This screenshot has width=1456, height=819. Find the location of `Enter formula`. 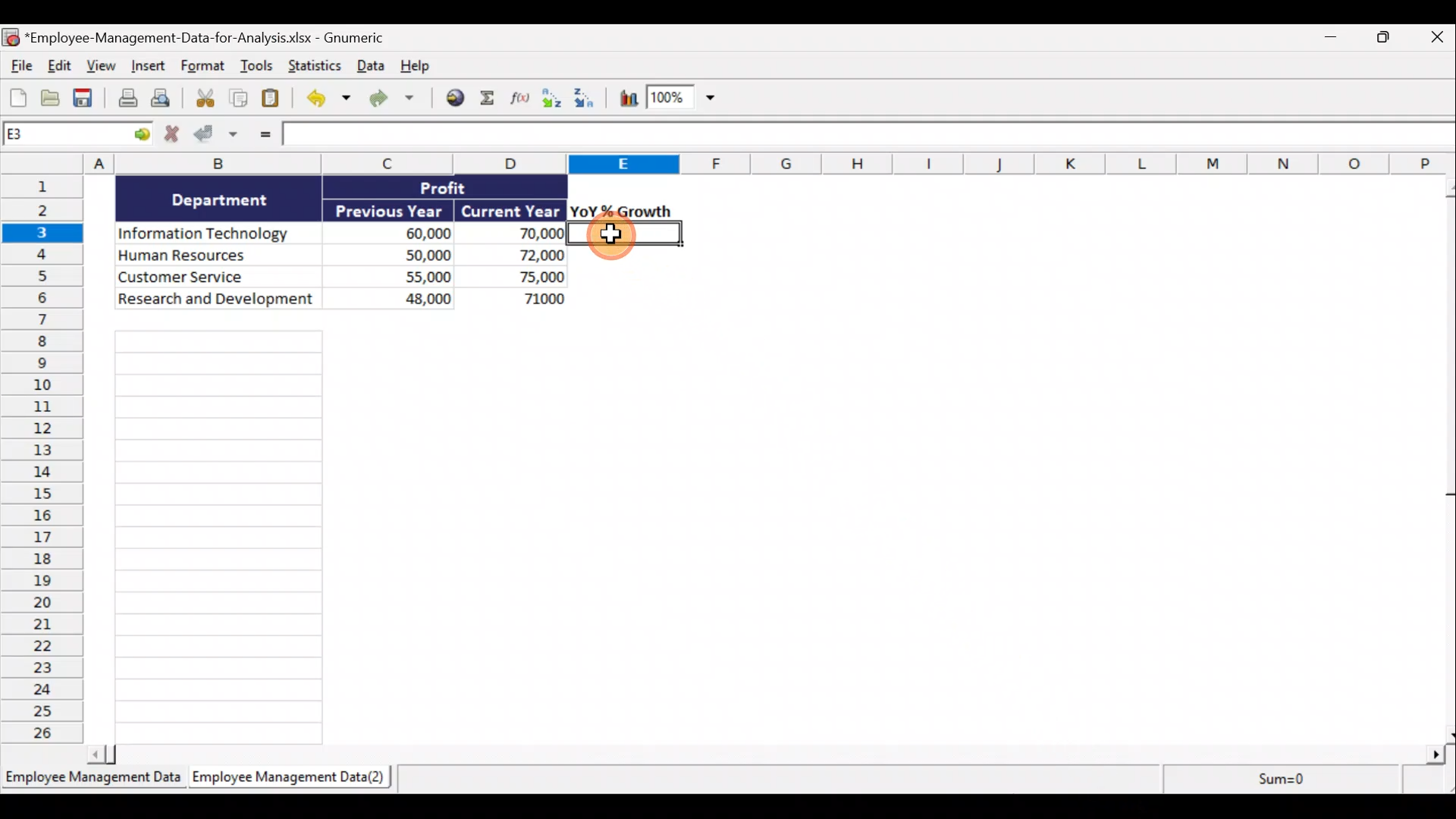

Enter formula is located at coordinates (263, 137).